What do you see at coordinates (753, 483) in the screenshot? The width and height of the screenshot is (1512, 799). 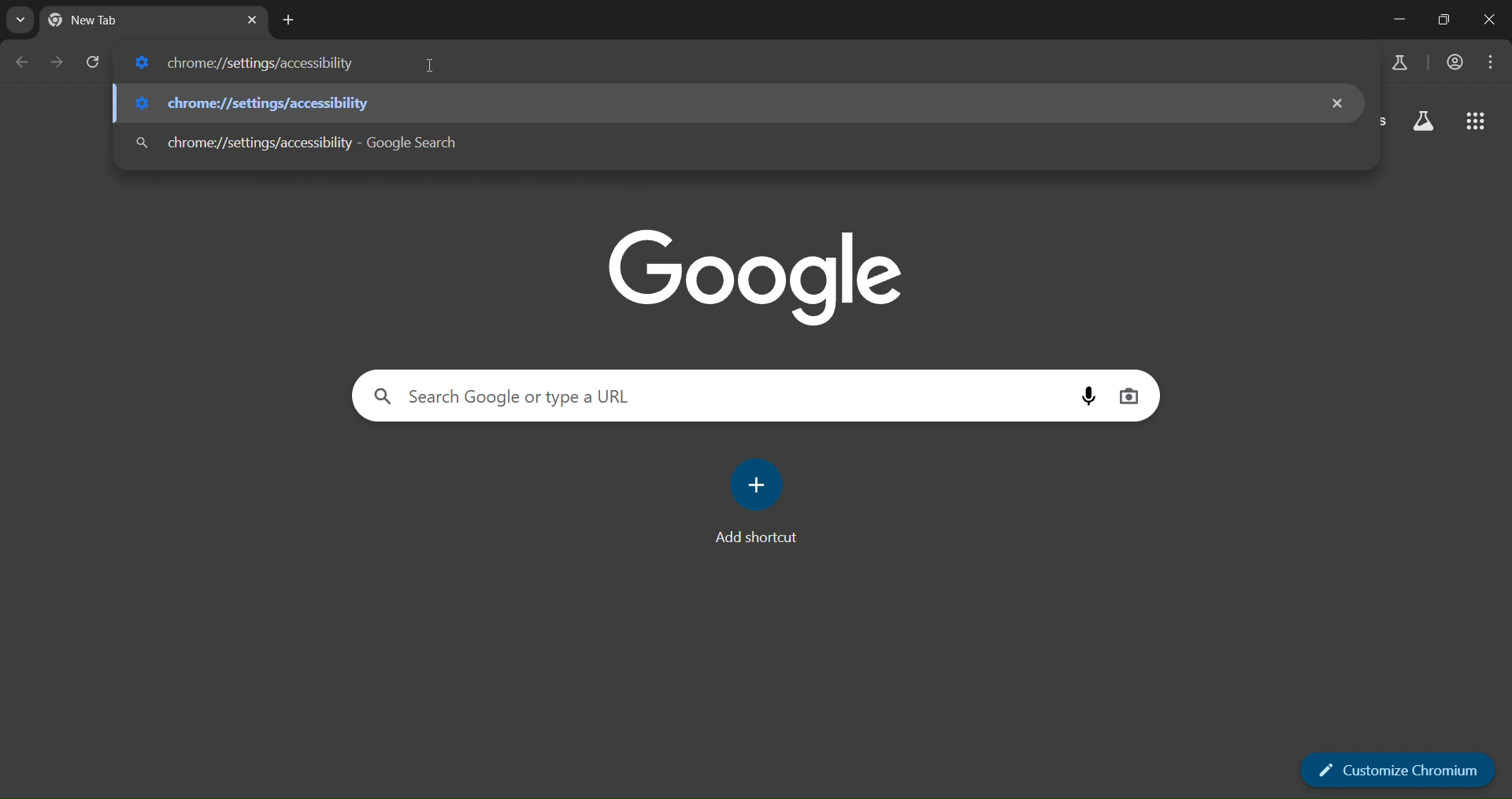 I see `add` at bounding box center [753, 483].